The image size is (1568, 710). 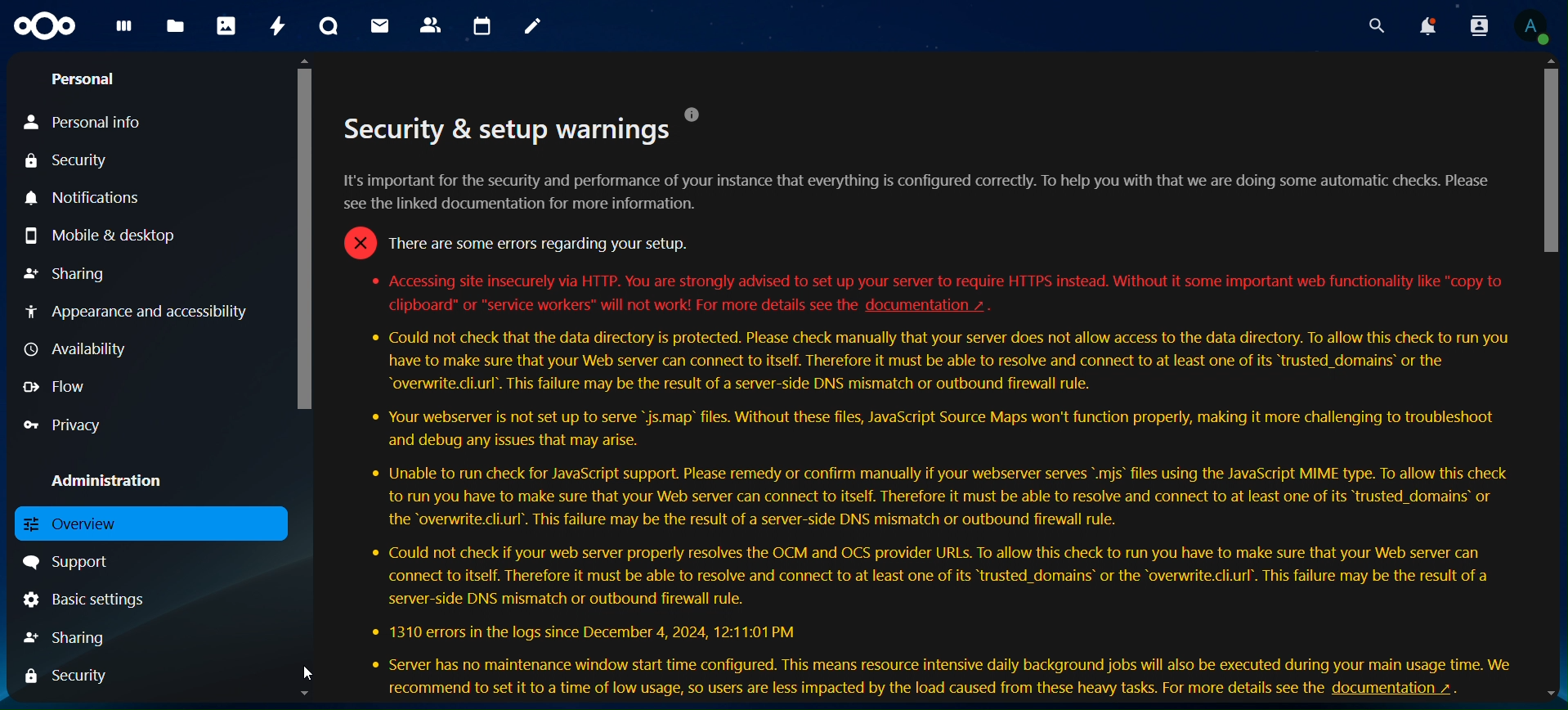 What do you see at coordinates (533, 25) in the screenshot?
I see `notes` at bounding box center [533, 25].